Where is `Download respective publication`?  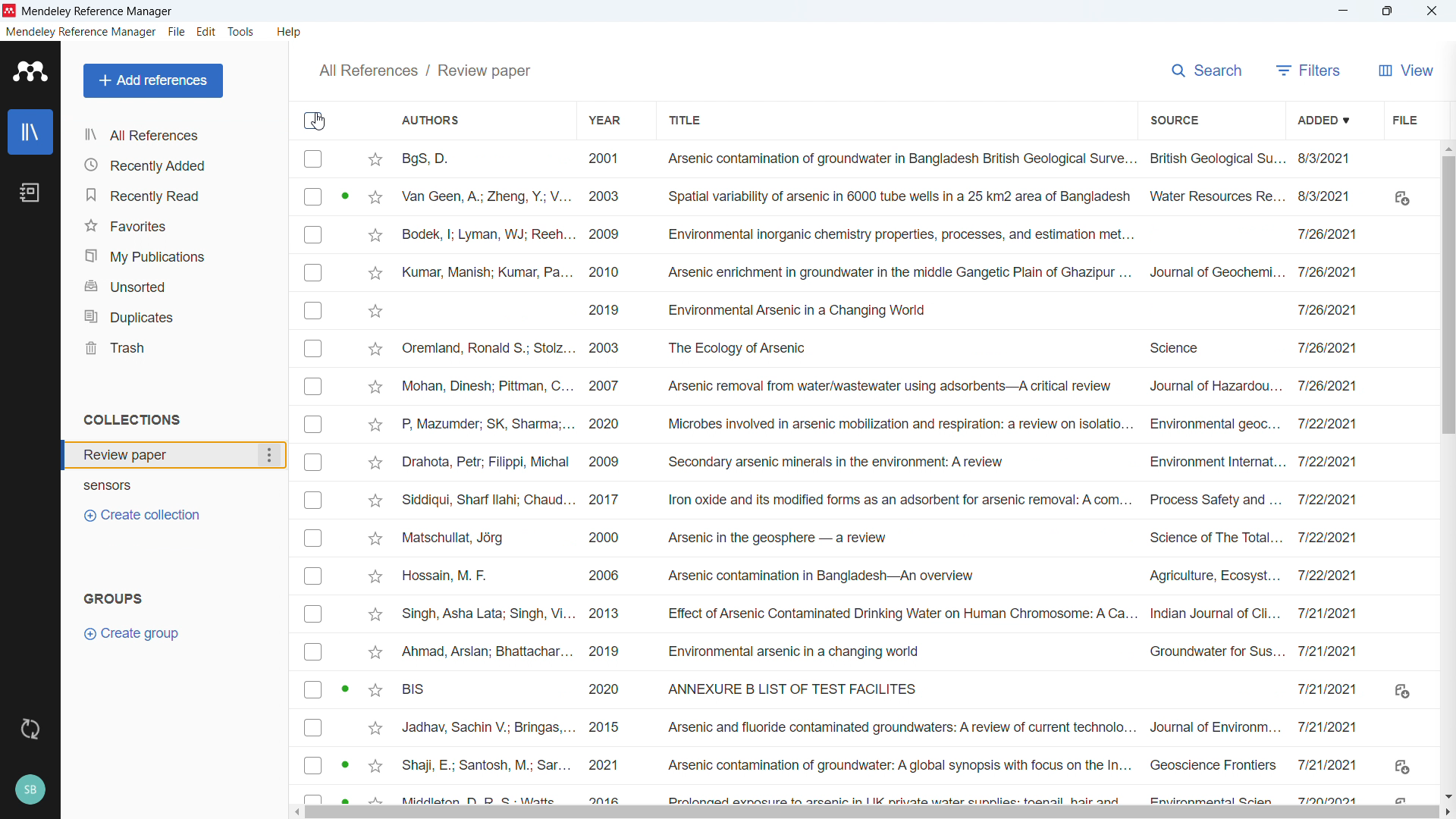
Download respective publication is located at coordinates (1401, 767).